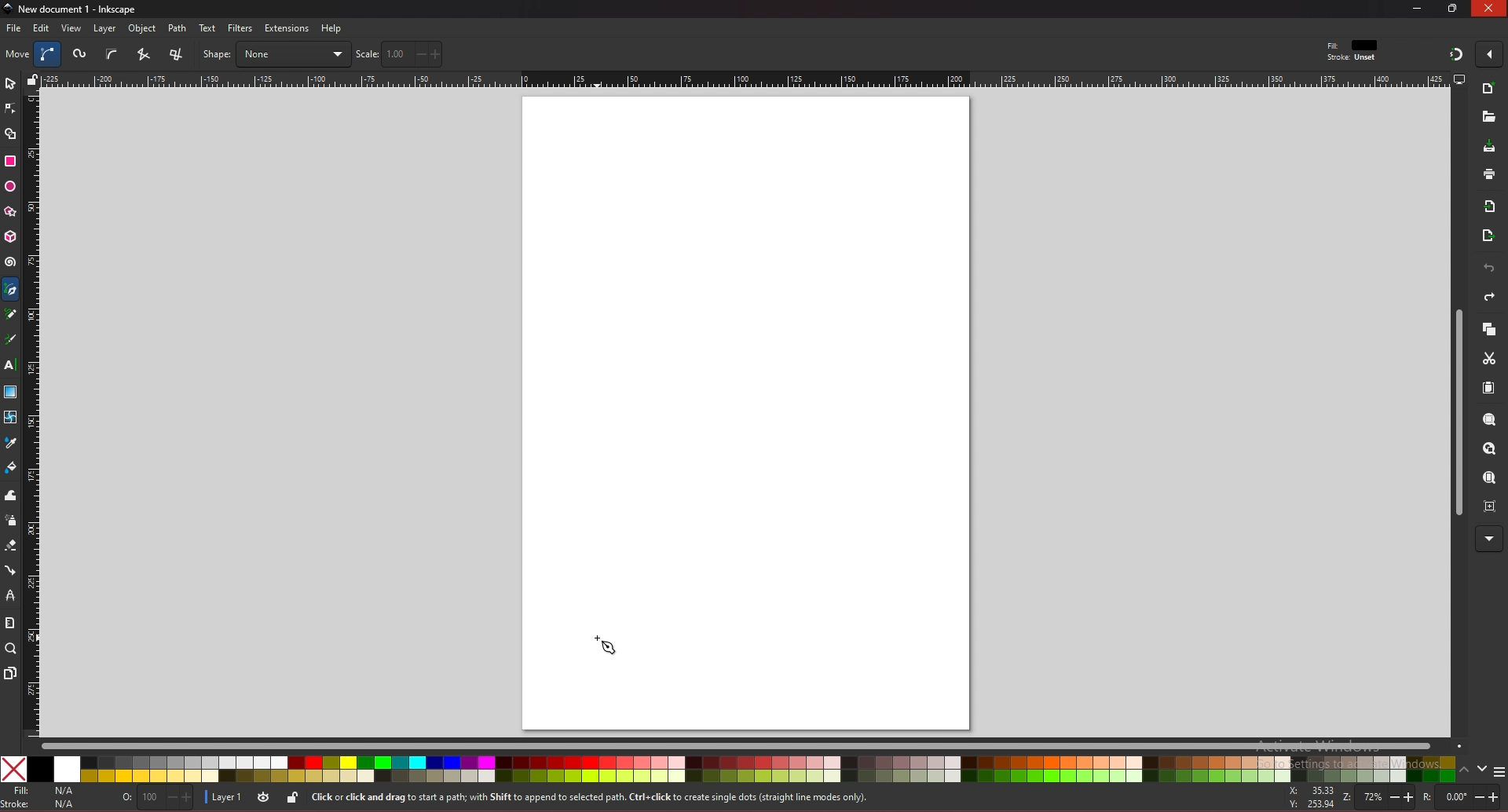 This screenshot has width=1508, height=812. Describe the element at coordinates (1483, 769) in the screenshot. I see `down` at that location.